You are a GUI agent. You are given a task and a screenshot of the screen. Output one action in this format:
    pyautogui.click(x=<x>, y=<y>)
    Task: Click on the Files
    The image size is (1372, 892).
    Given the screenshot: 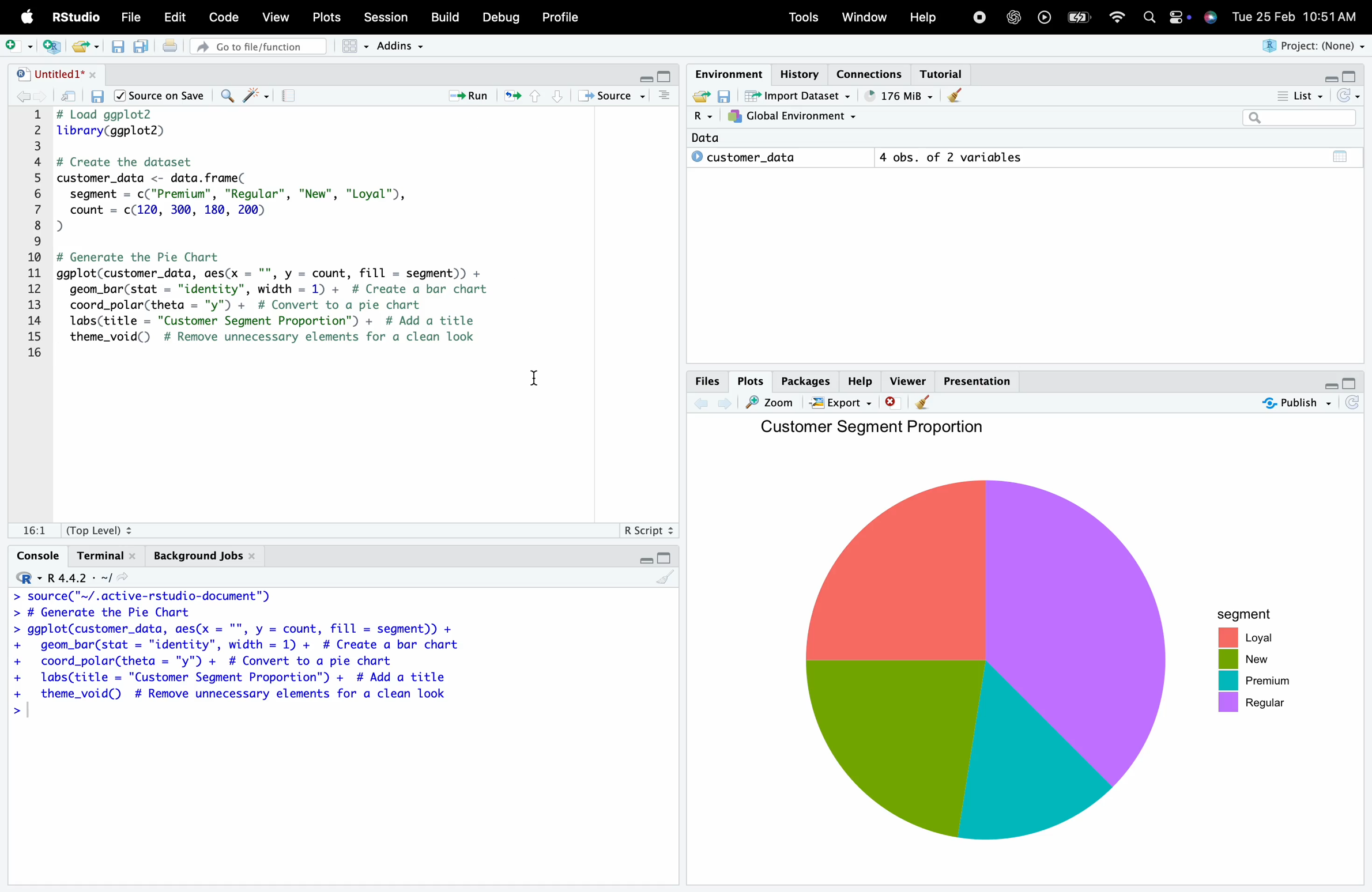 What is the action you would take?
    pyautogui.click(x=706, y=383)
    